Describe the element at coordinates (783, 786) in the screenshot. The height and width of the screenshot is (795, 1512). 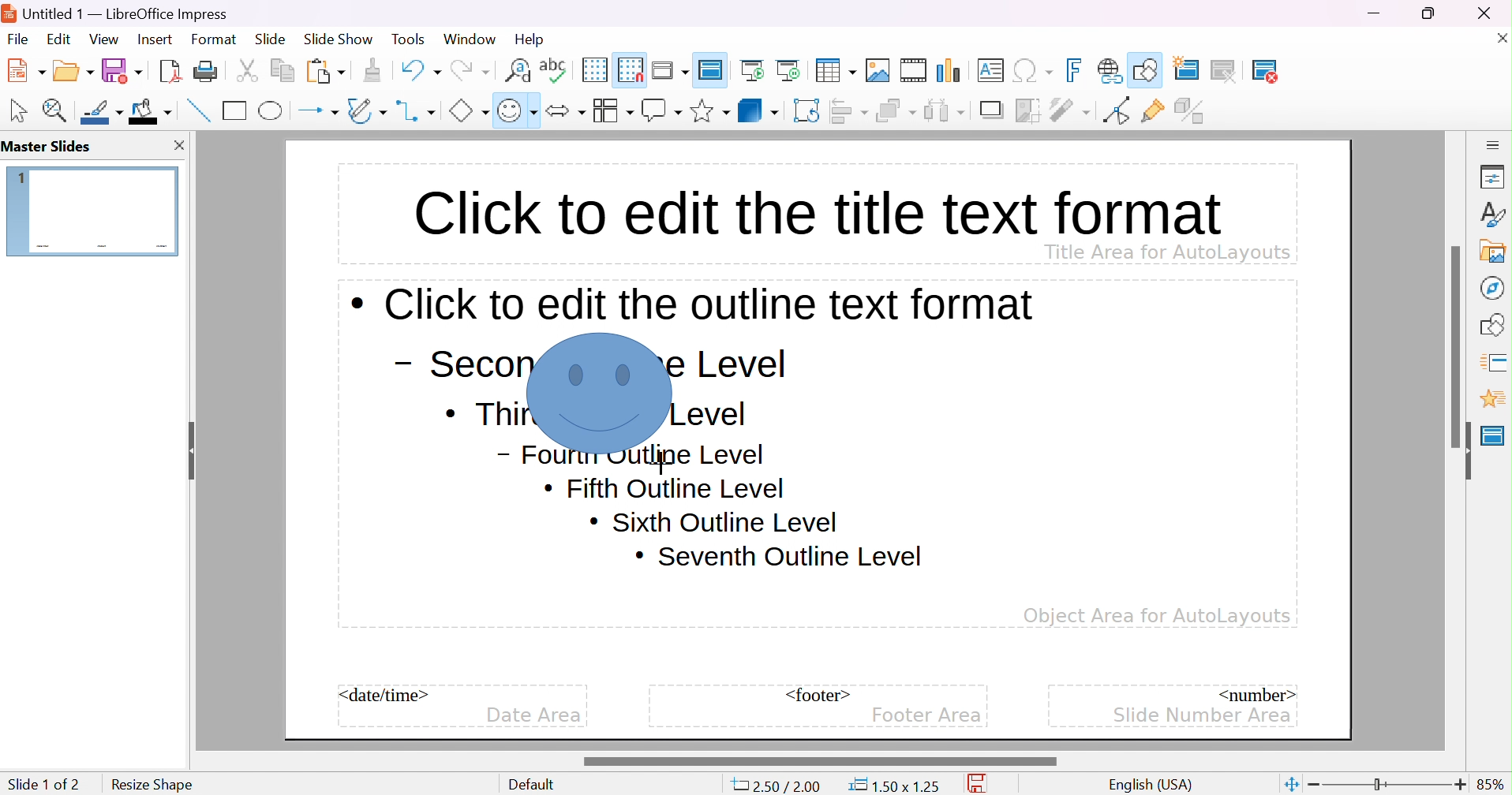
I see `-0.96/0.09` at that location.